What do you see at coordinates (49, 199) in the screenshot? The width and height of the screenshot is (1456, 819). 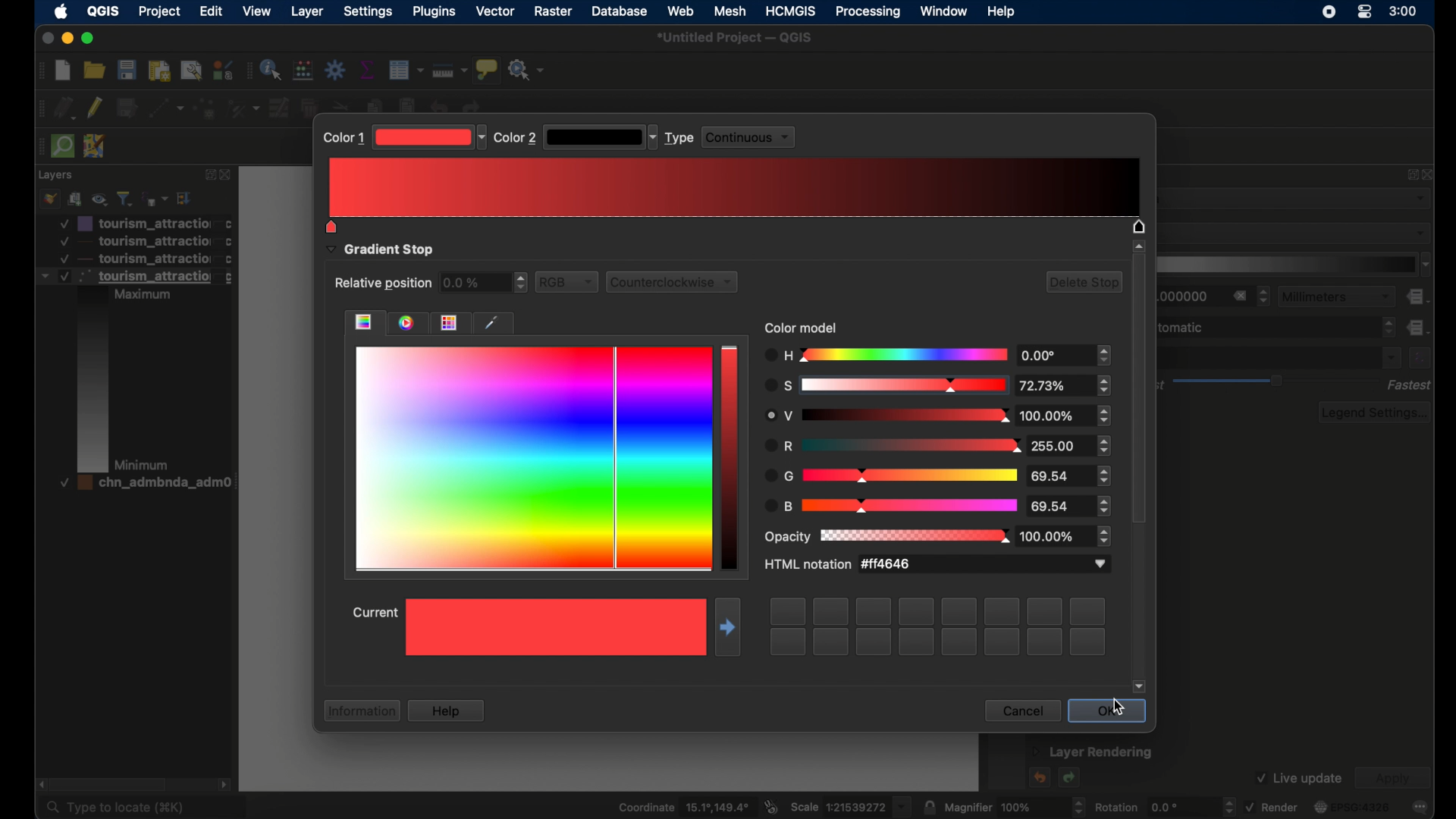 I see `open styling panel` at bounding box center [49, 199].